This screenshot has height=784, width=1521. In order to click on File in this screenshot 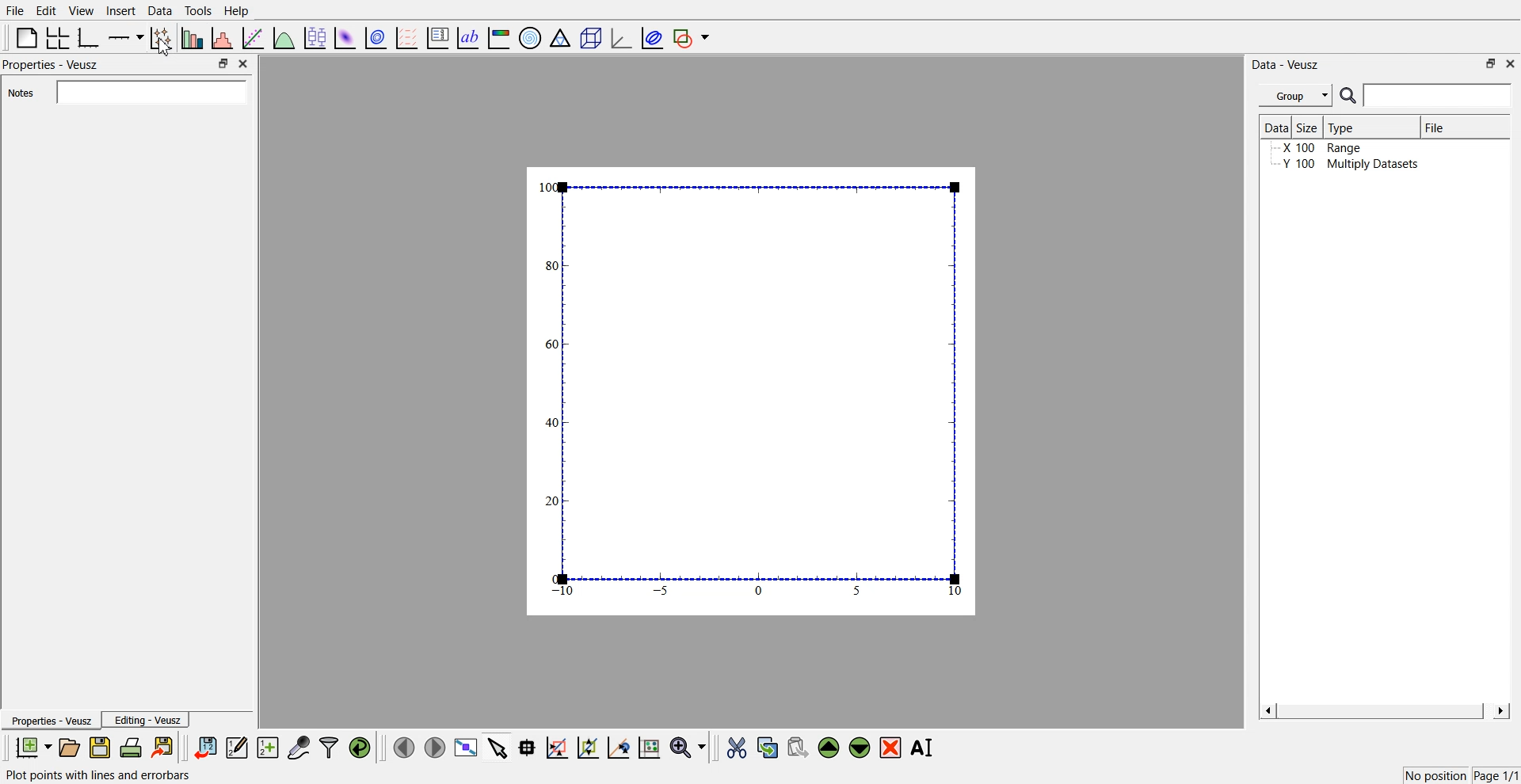, I will do `click(16, 11)`.